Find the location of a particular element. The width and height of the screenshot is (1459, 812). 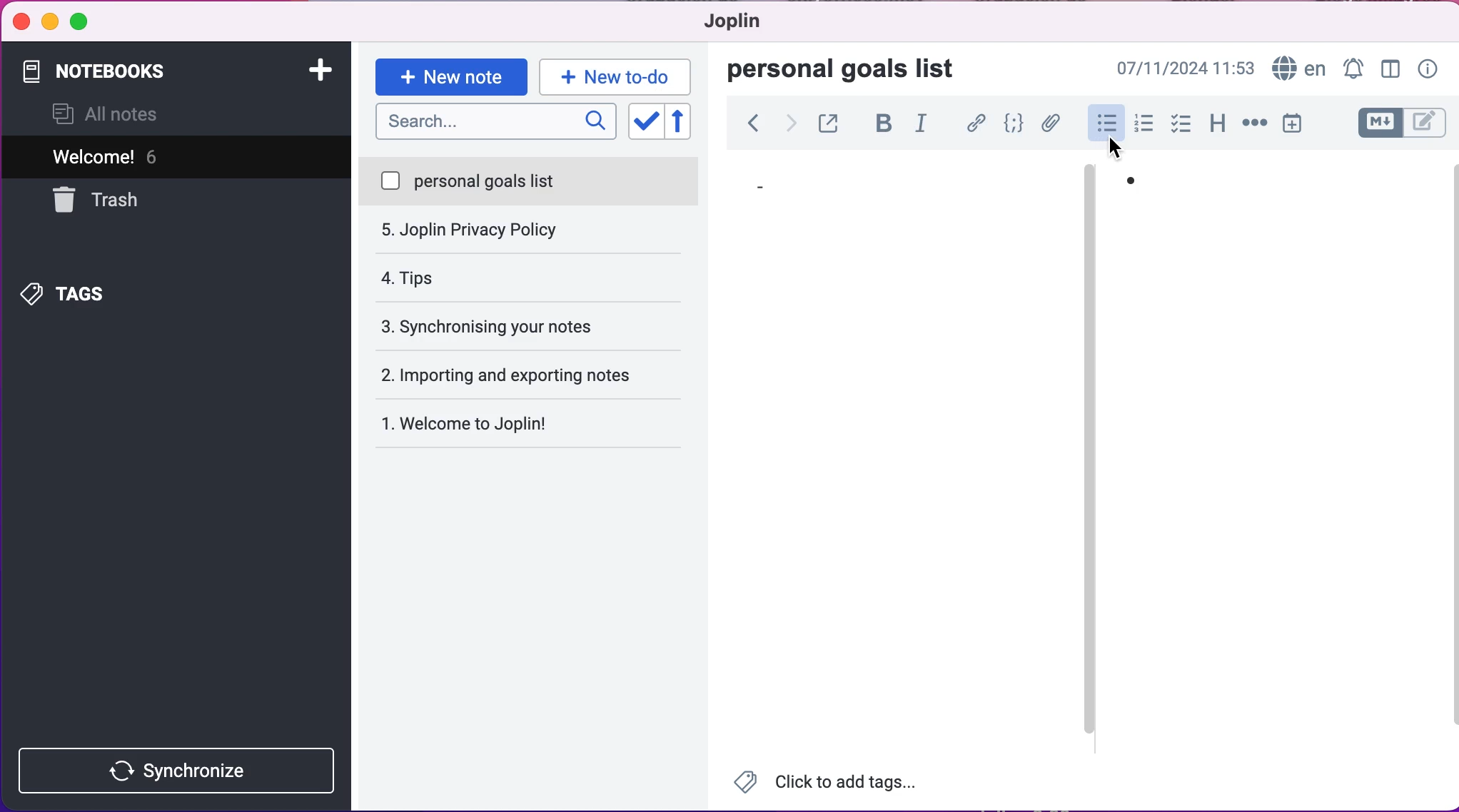

joplin is located at coordinates (748, 24).